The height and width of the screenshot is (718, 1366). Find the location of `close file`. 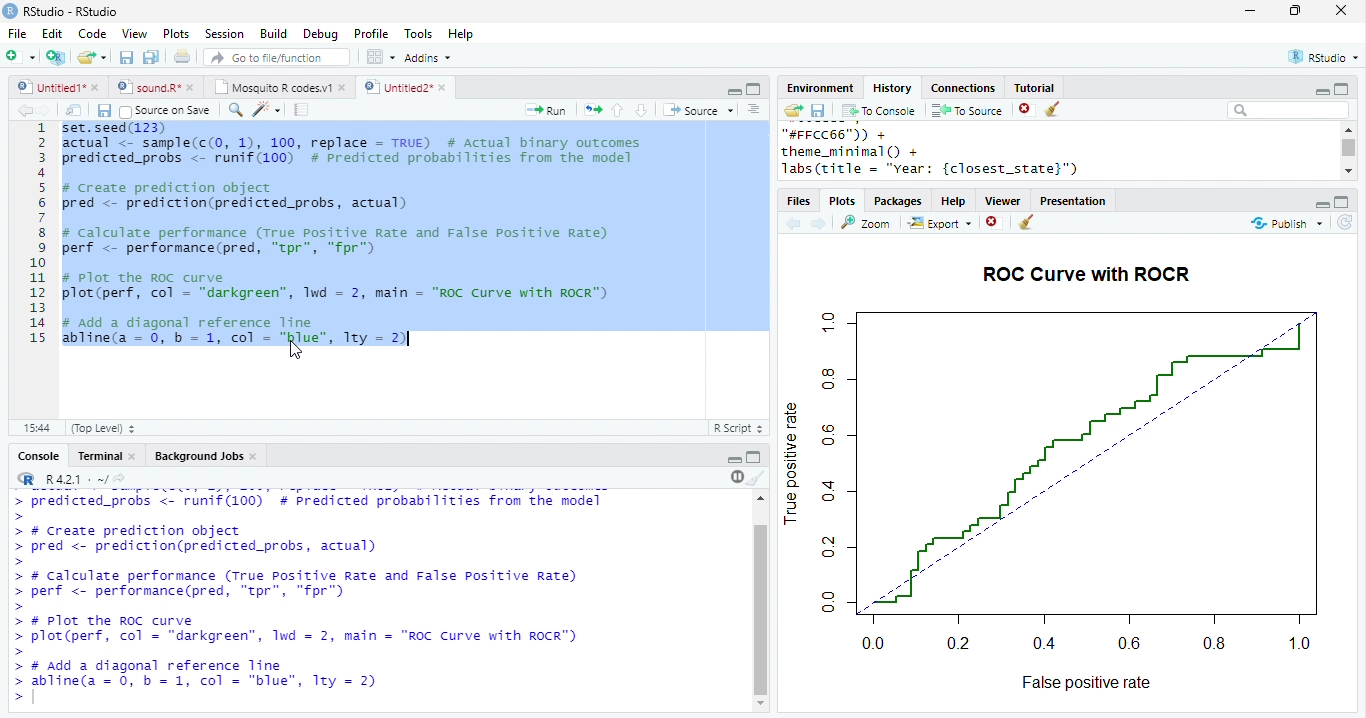

close file is located at coordinates (995, 223).